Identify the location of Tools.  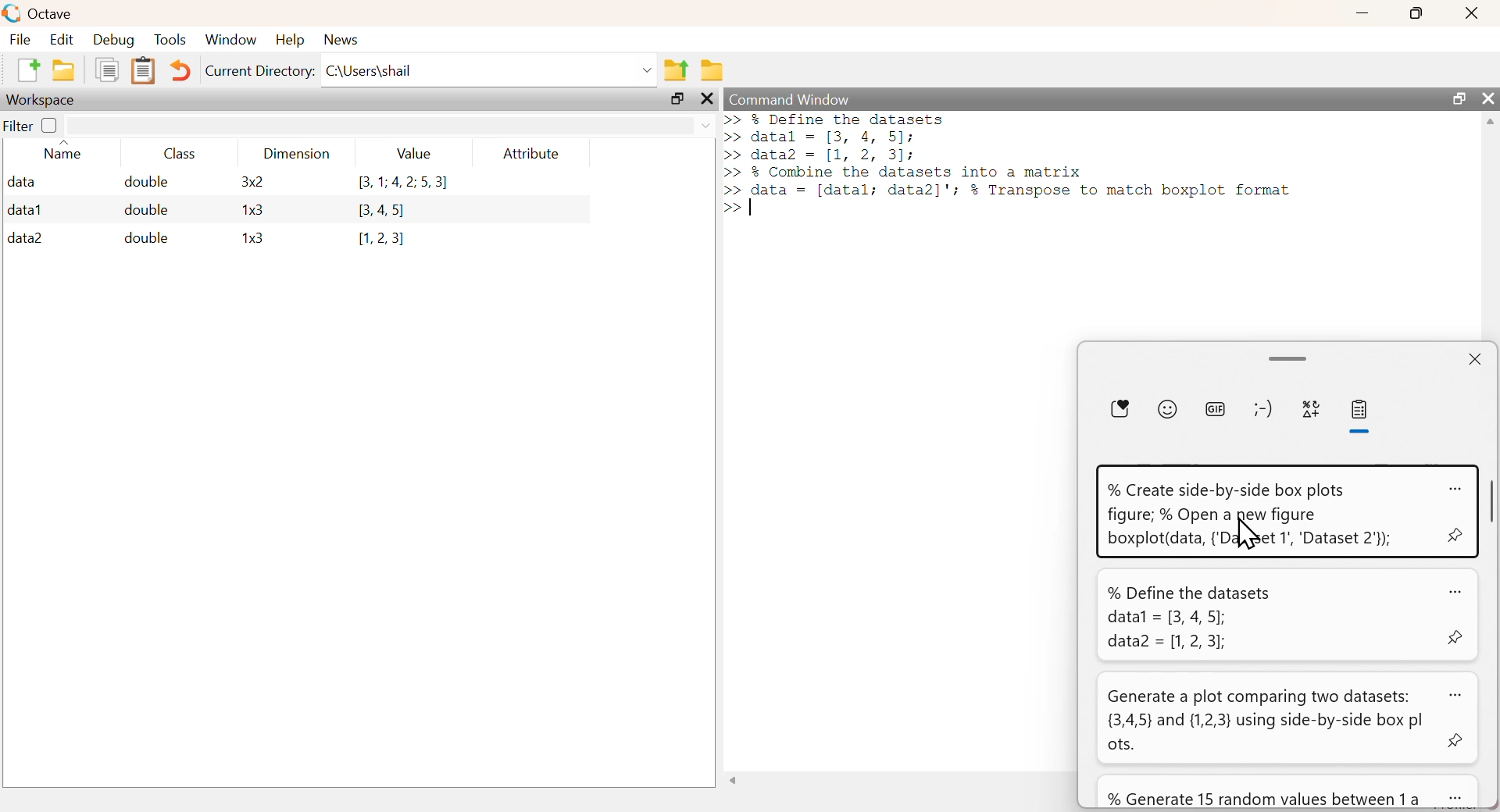
(171, 39).